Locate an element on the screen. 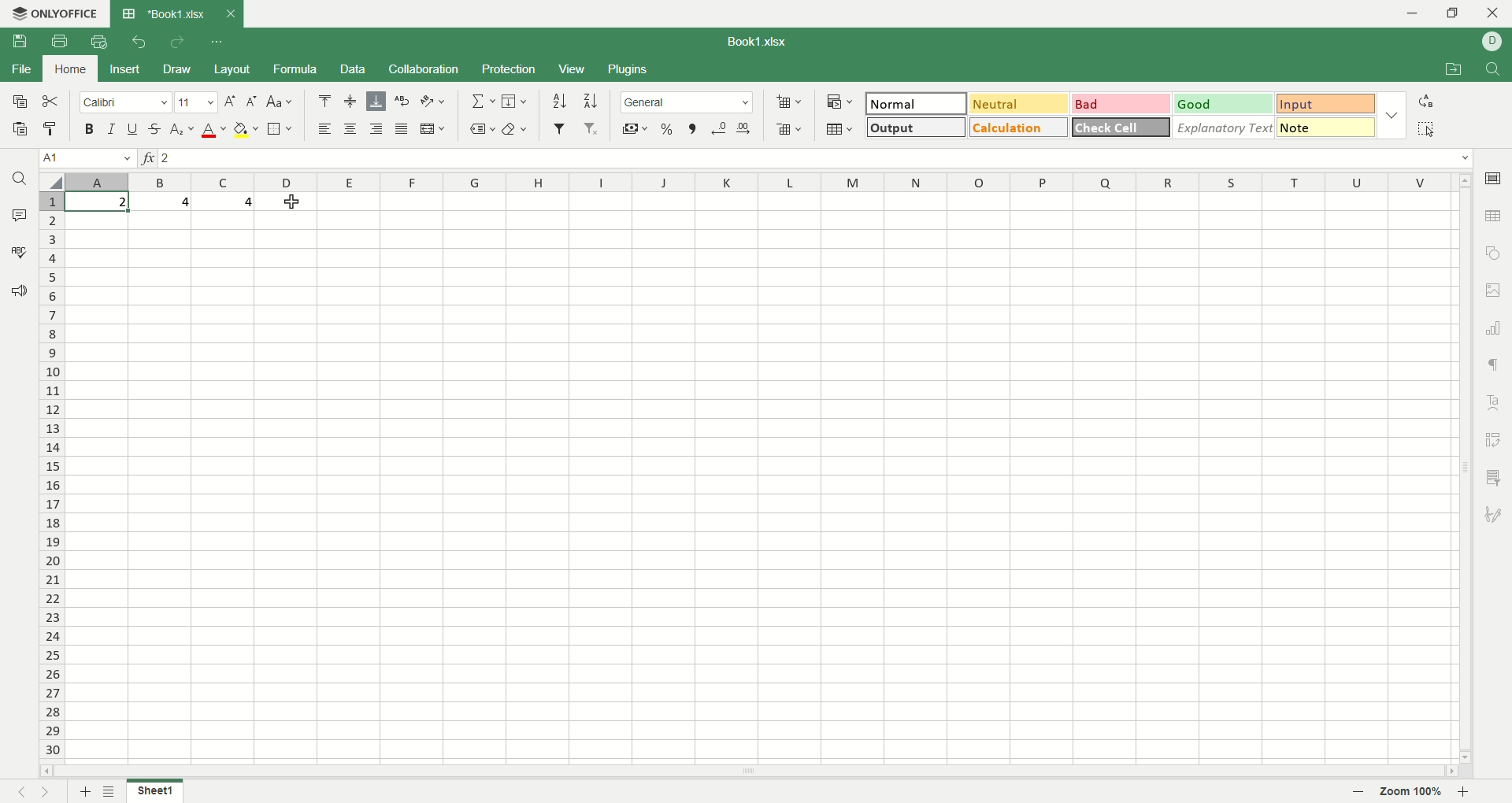  add cell is located at coordinates (787, 102).